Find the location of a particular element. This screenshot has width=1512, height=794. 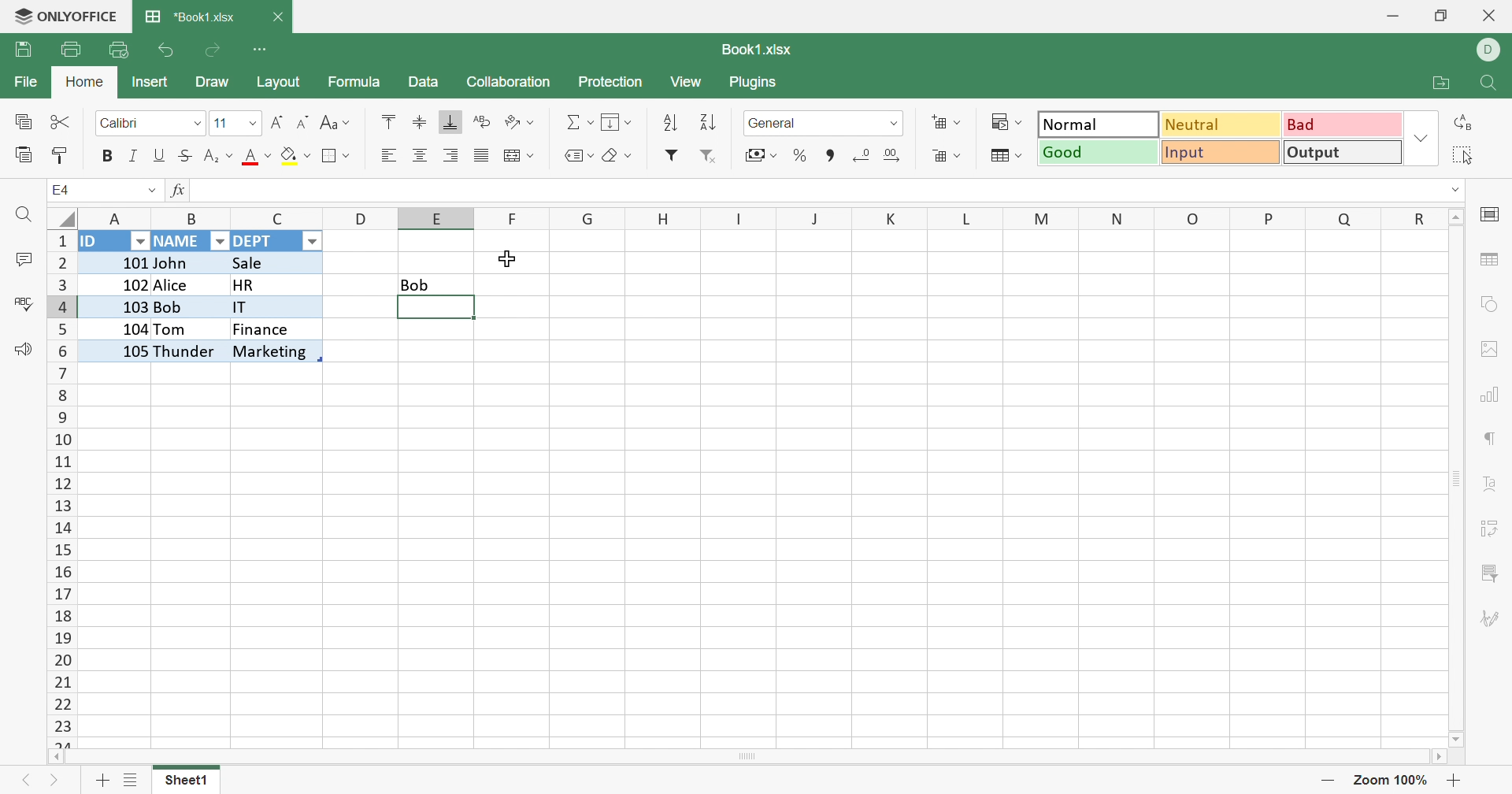

103 is located at coordinates (117, 306).